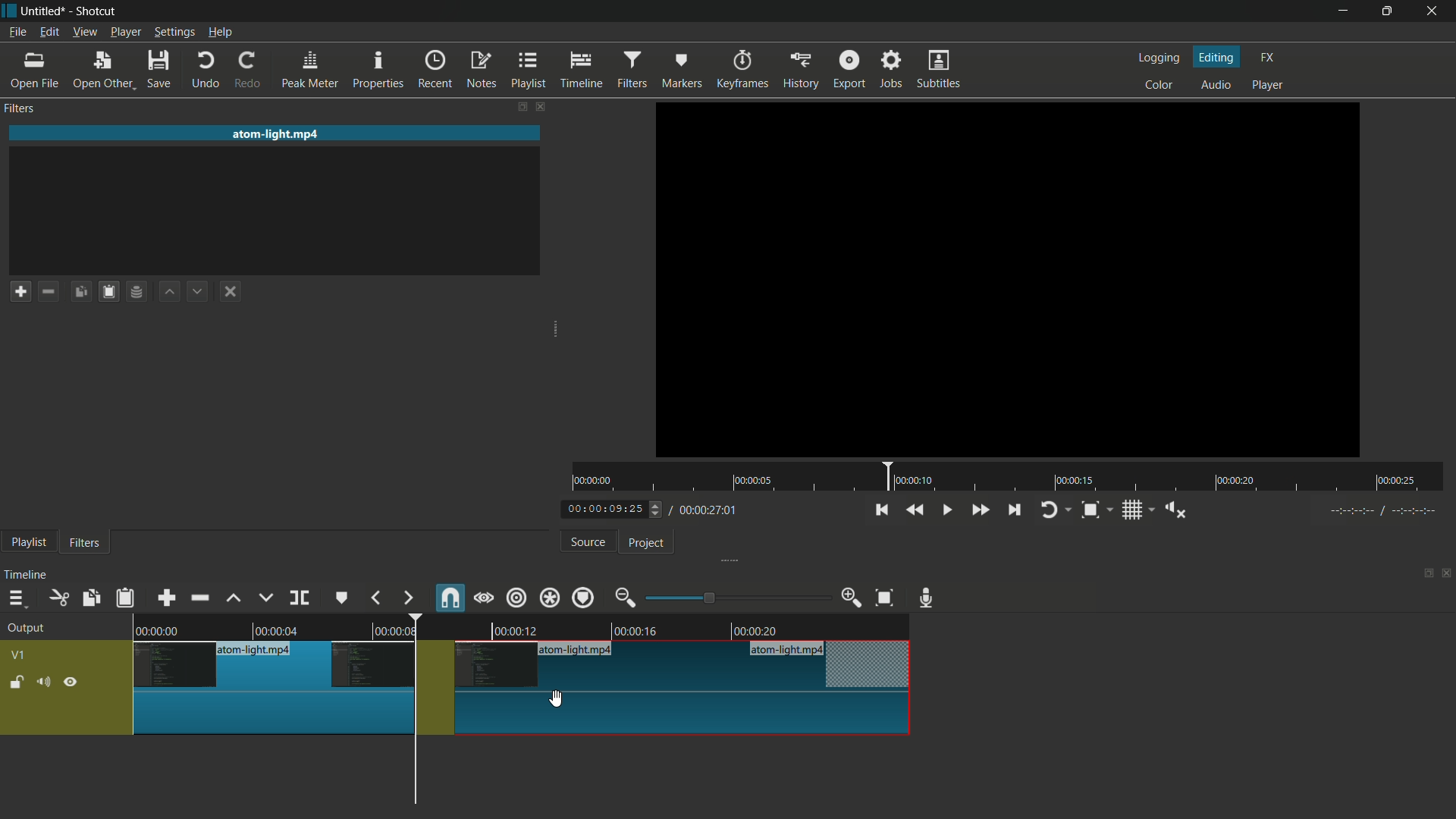 The width and height of the screenshot is (1456, 819). Describe the element at coordinates (585, 597) in the screenshot. I see `ripple markers` at that location.